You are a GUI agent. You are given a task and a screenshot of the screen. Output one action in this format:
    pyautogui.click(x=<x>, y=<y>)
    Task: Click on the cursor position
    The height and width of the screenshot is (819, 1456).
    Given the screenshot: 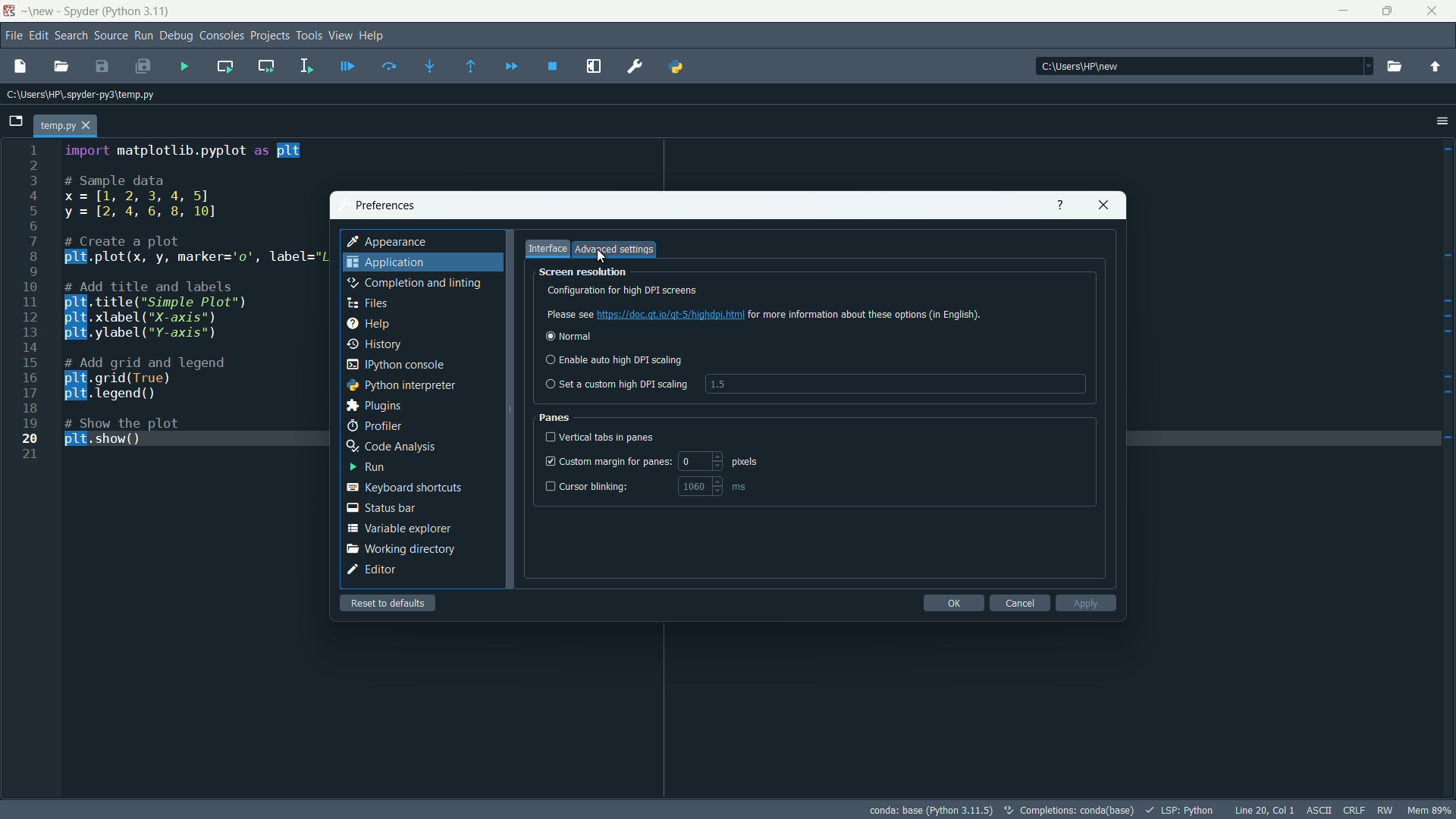 What is the action you would take?
    pyautogui.click(x=1264, y=810)
    